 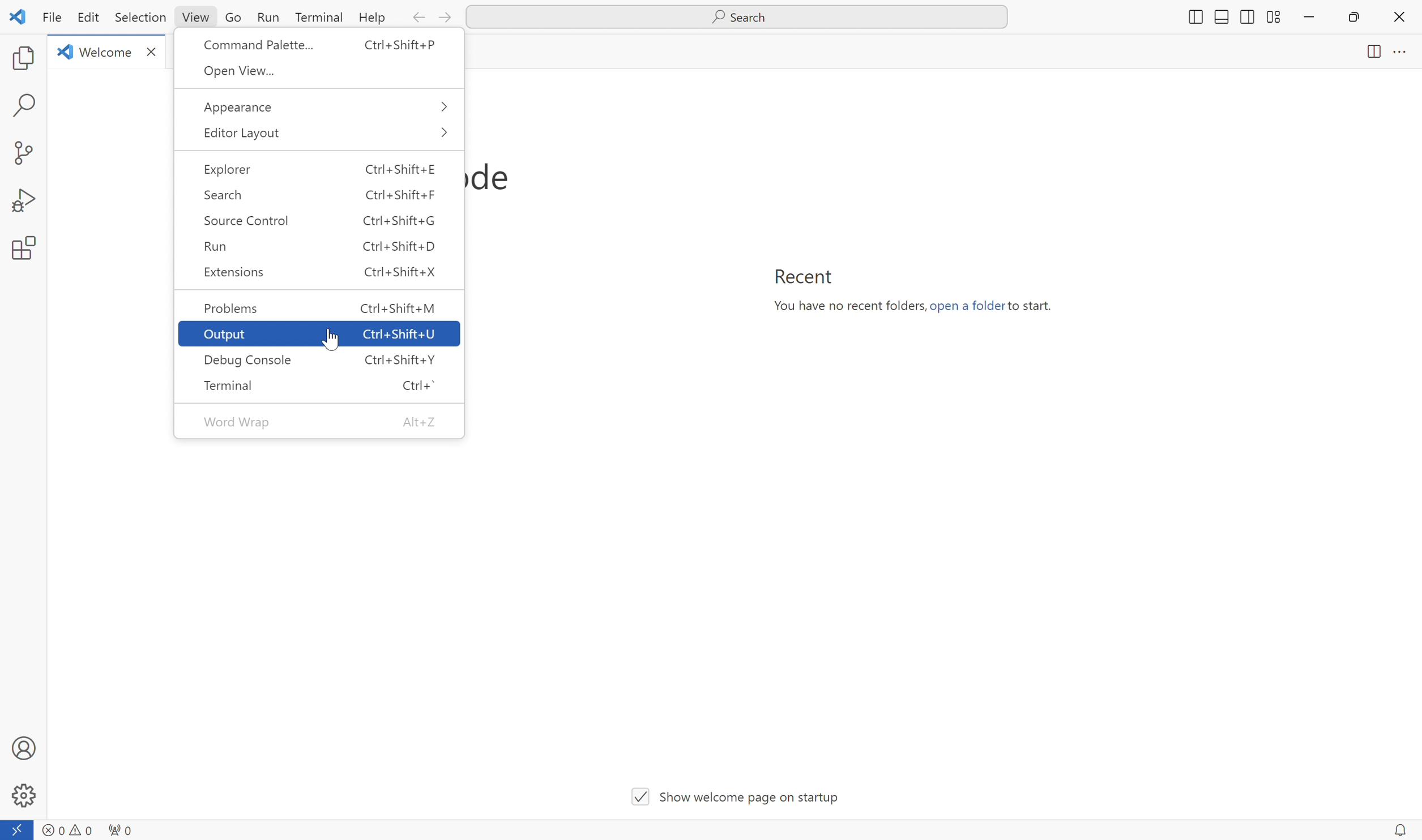 I want to click on output, so click(x=321, y=332).